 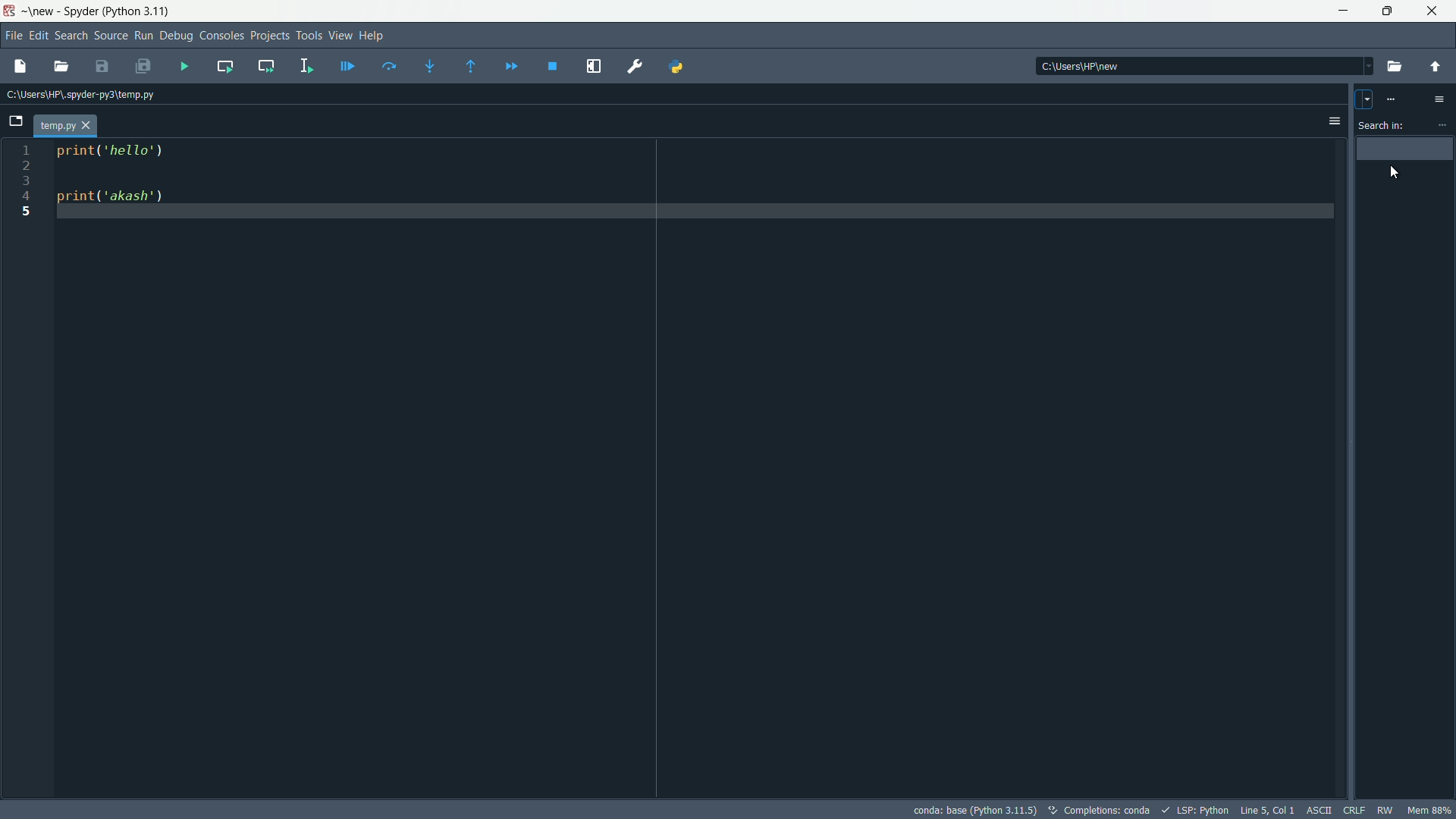 I want to click on Help Menu, so click(x=372, y=35).